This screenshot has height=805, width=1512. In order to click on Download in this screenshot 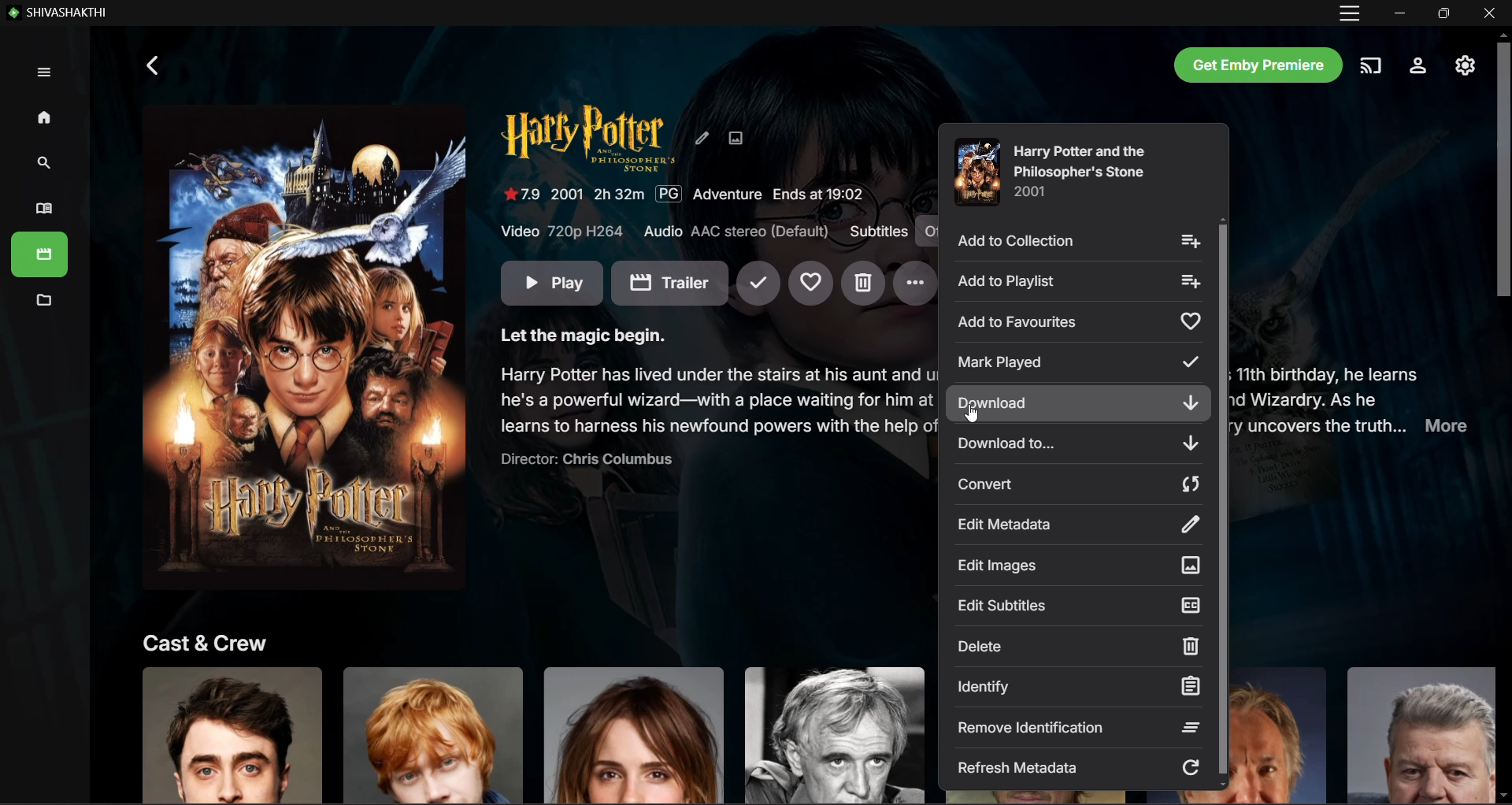, I will do `click(1079, 402)`.